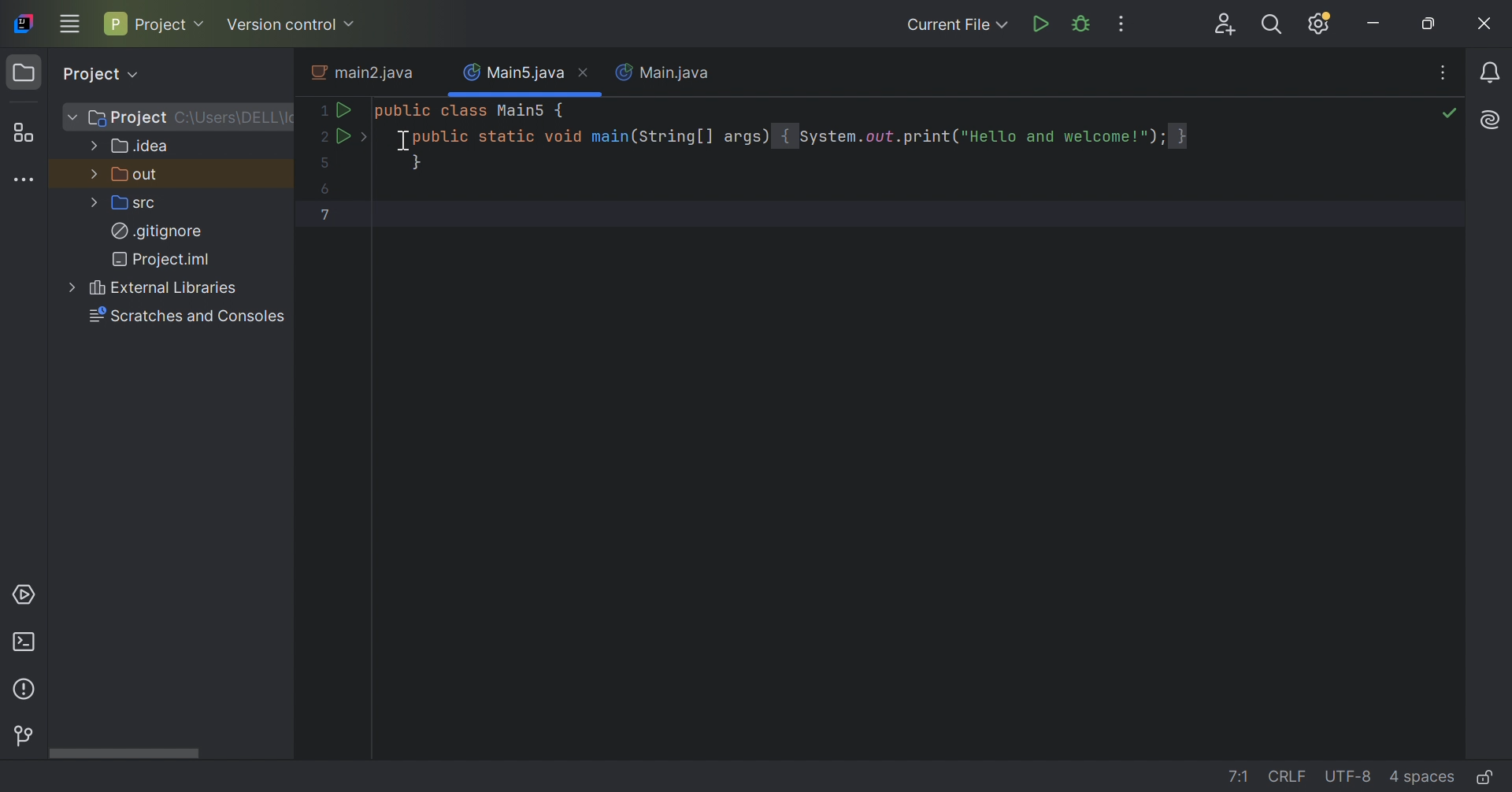  I want to click on .idea, so click(143, 150).